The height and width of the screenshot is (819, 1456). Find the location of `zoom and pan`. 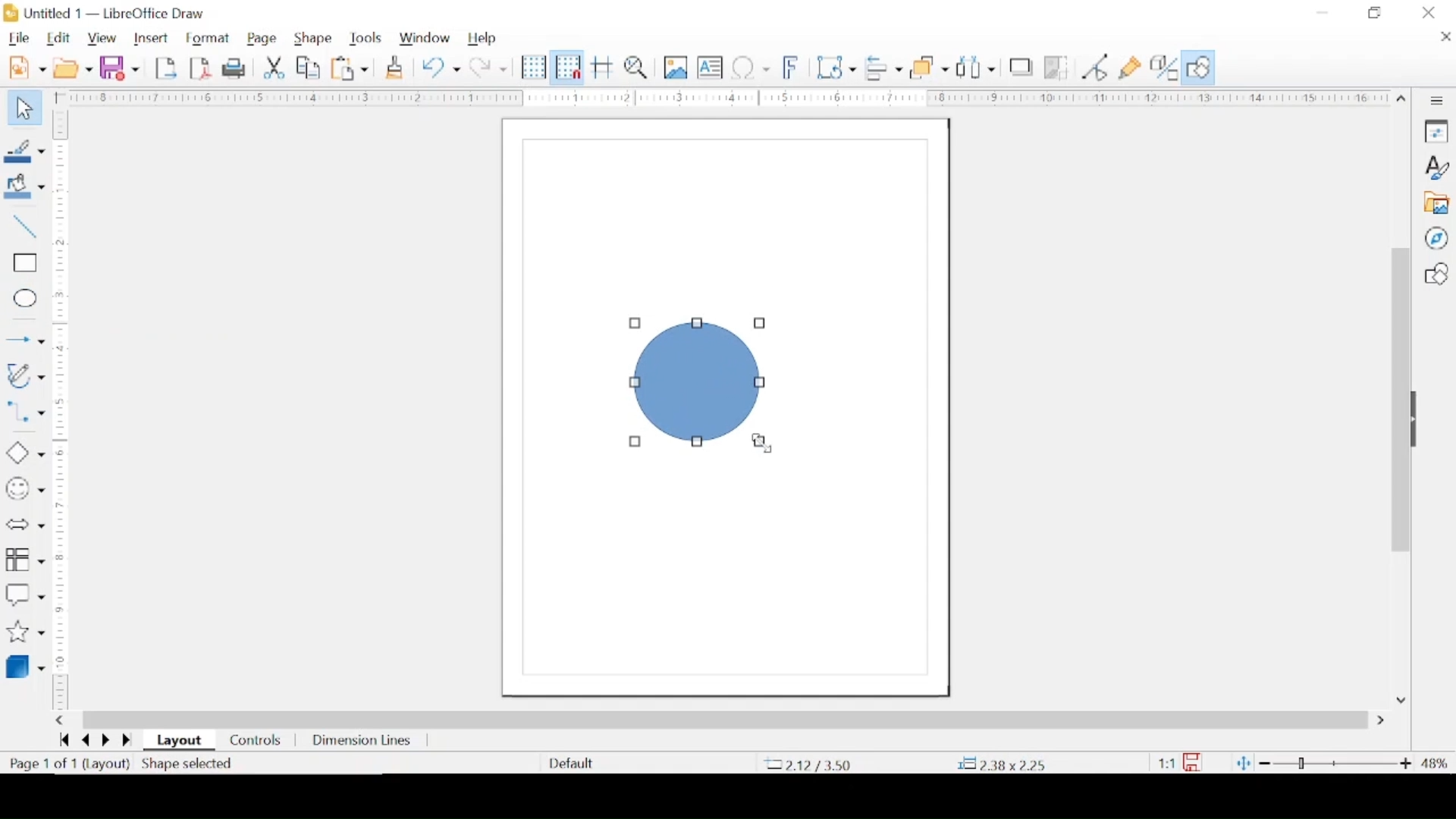

zoom and pan is located at coordinates (637, 68).